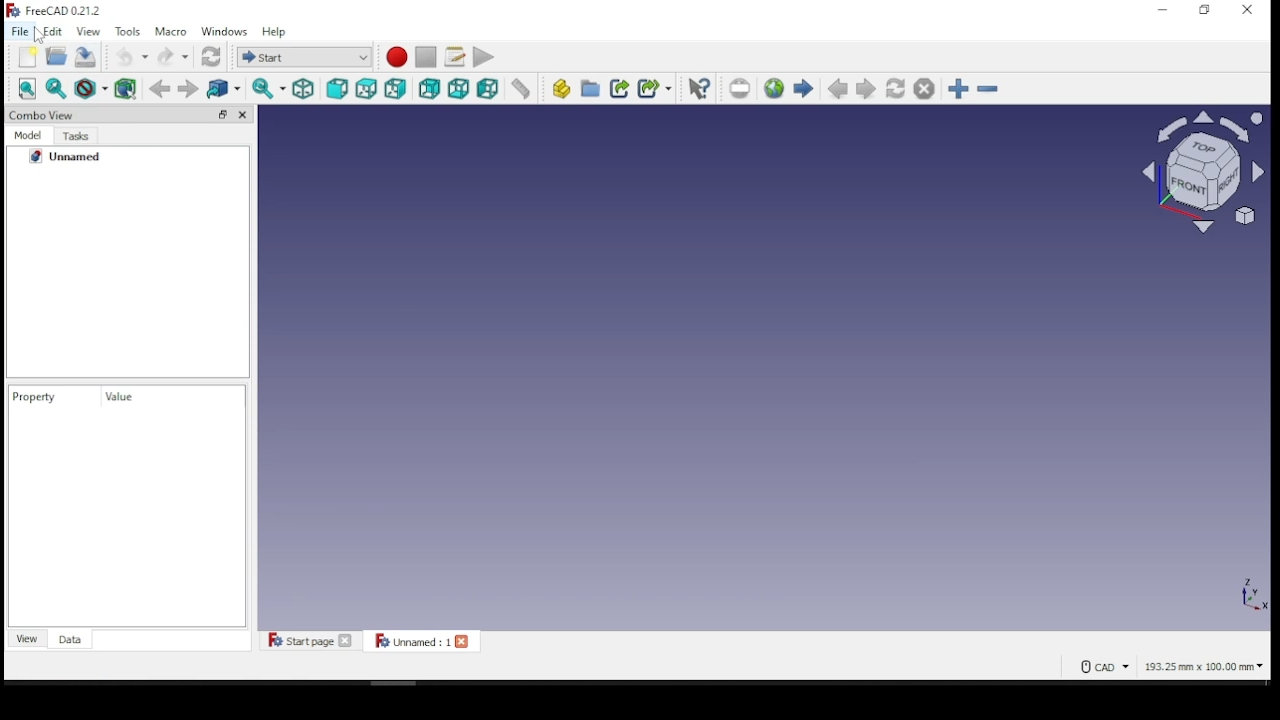  Describe the element at coordinates (210, 56) in the screenshot. I see `refresh` at that location.